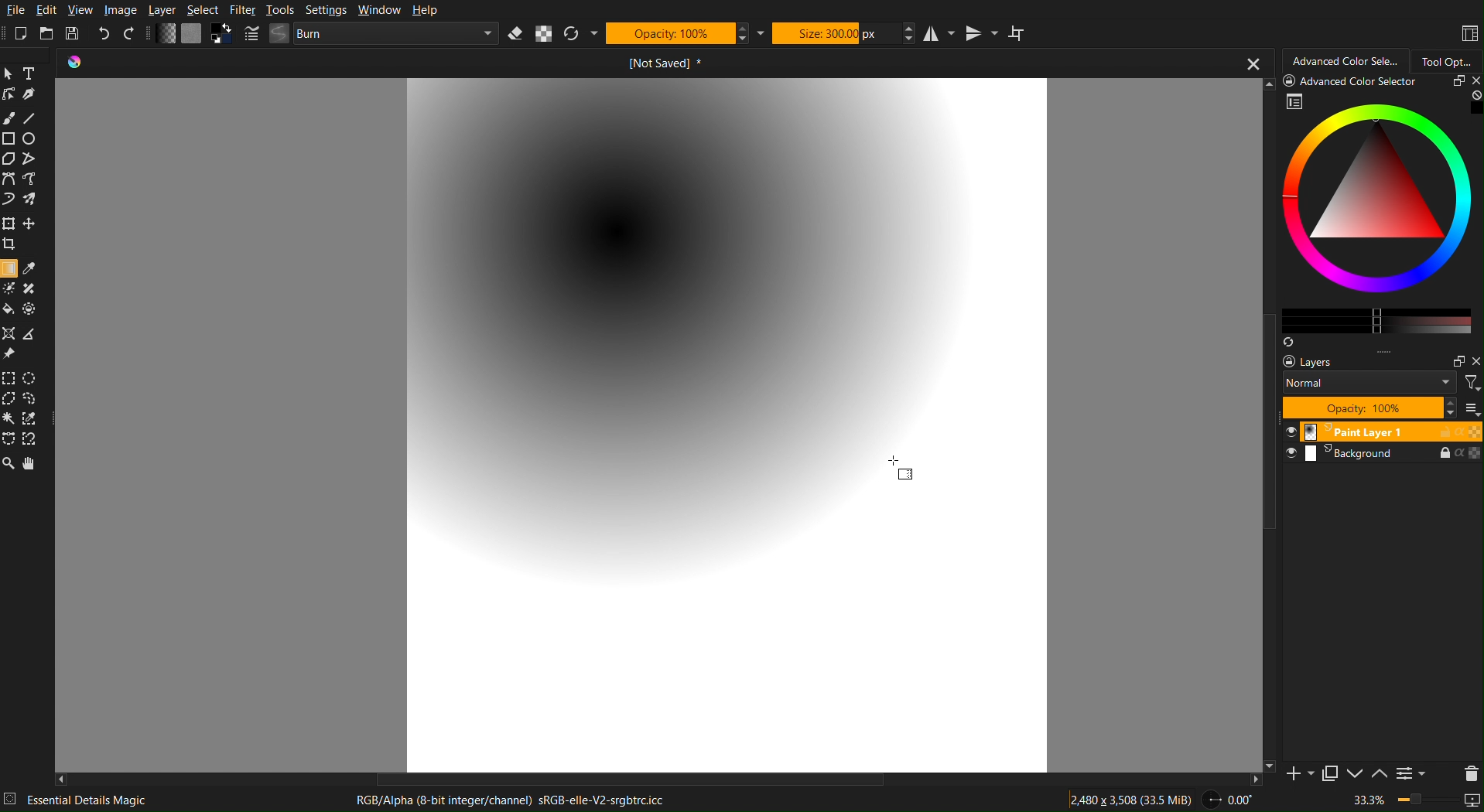  What do you see at coordinates (192, 36) in the screenshot?
I see `Color Settings` at bounding box center [192, 36].